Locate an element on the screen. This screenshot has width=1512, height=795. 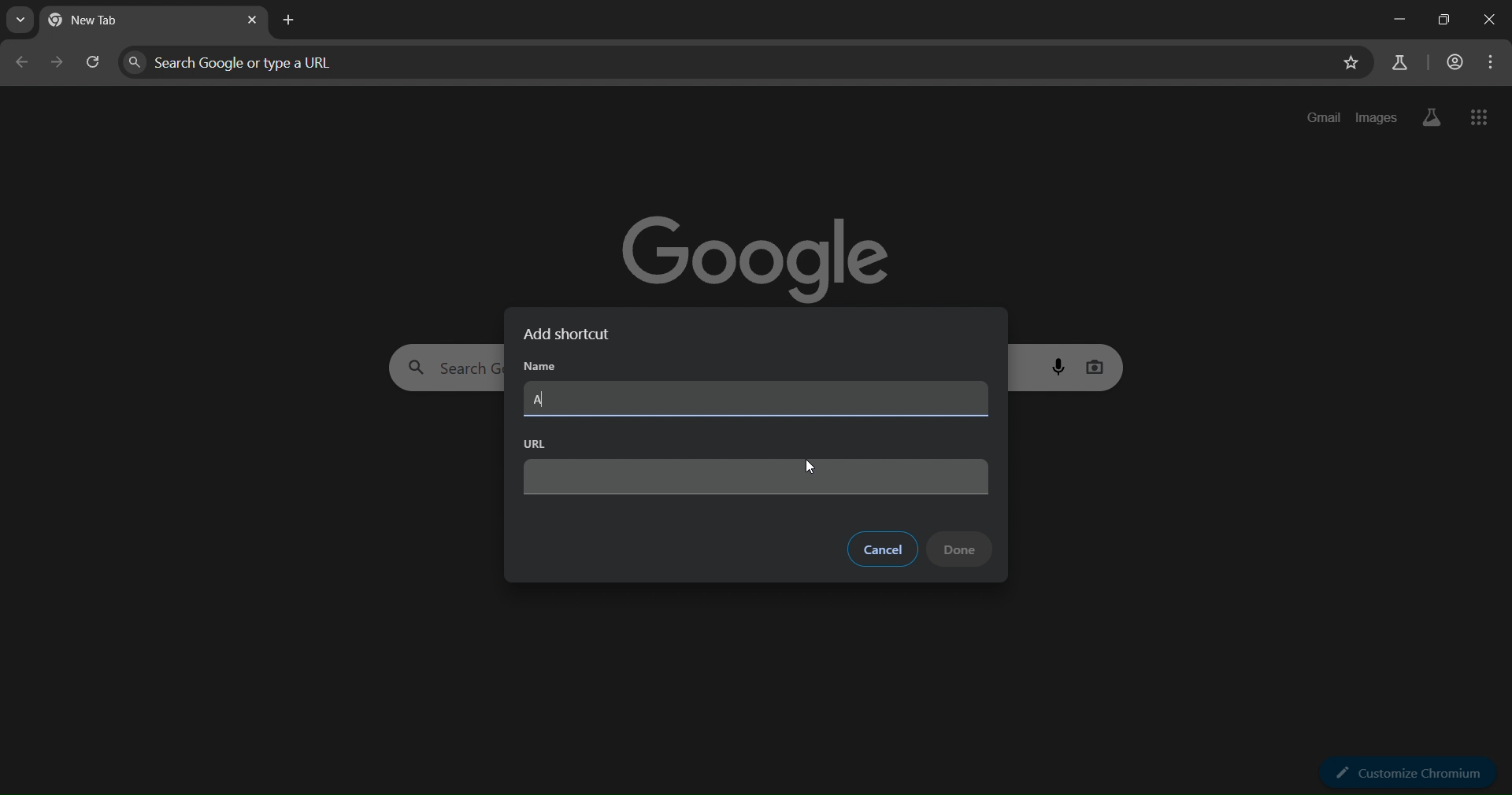
account is located at coordinates (1454, 63).